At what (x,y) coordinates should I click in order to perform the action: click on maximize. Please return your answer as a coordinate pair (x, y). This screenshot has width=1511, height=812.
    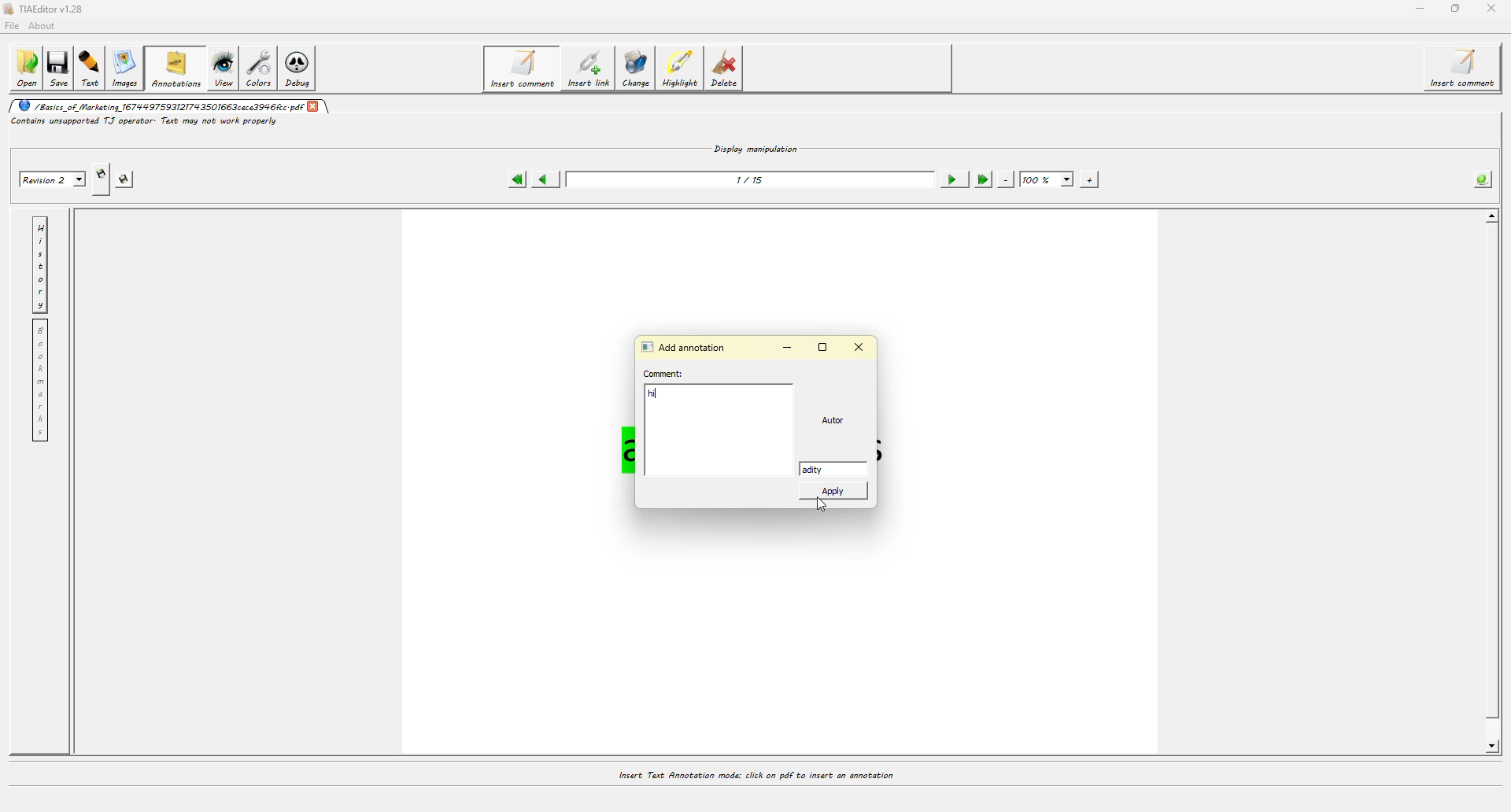
    Looking at the image, I should click on (825, 347).